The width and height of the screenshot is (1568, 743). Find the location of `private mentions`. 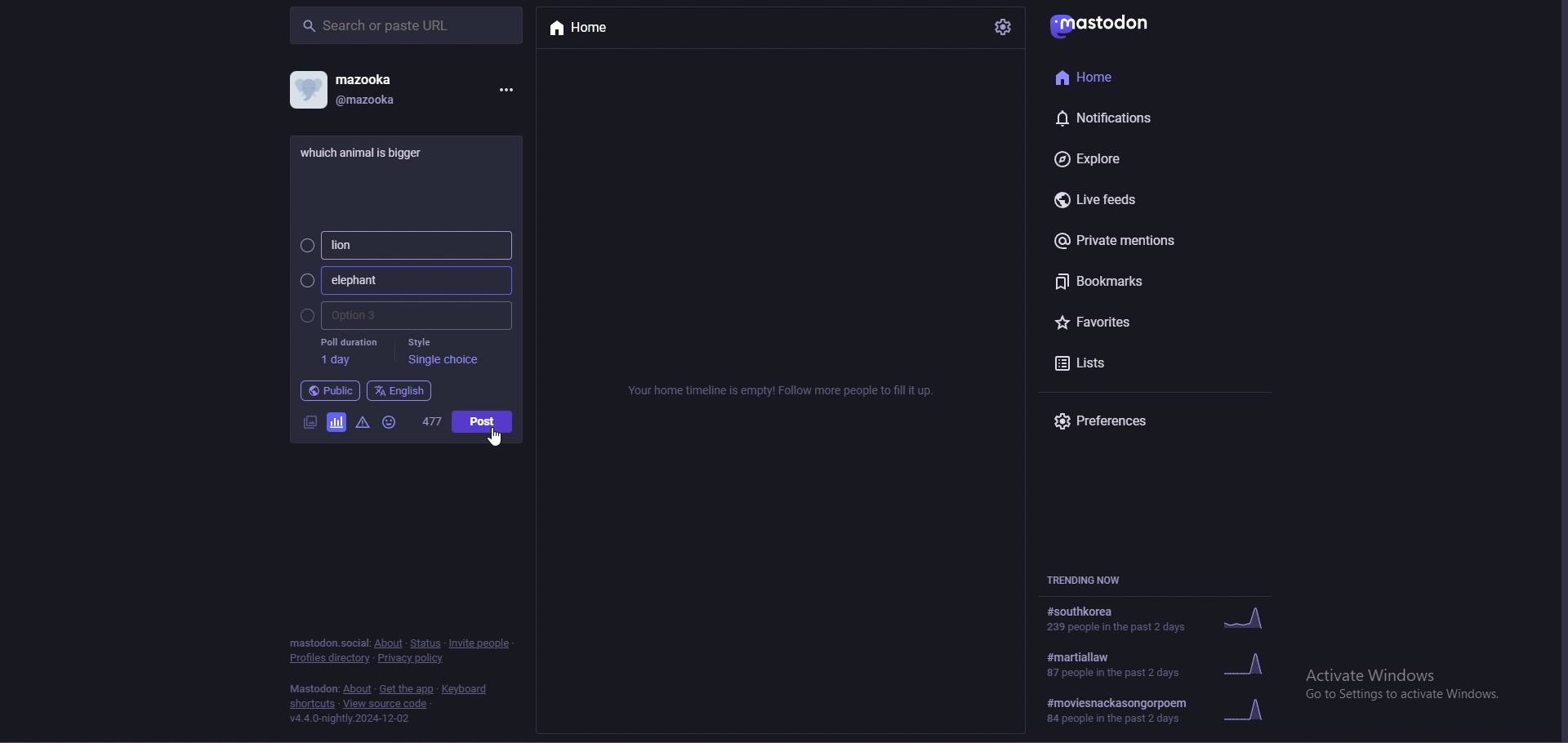

private mentions is located at coordinates (1128, 240).